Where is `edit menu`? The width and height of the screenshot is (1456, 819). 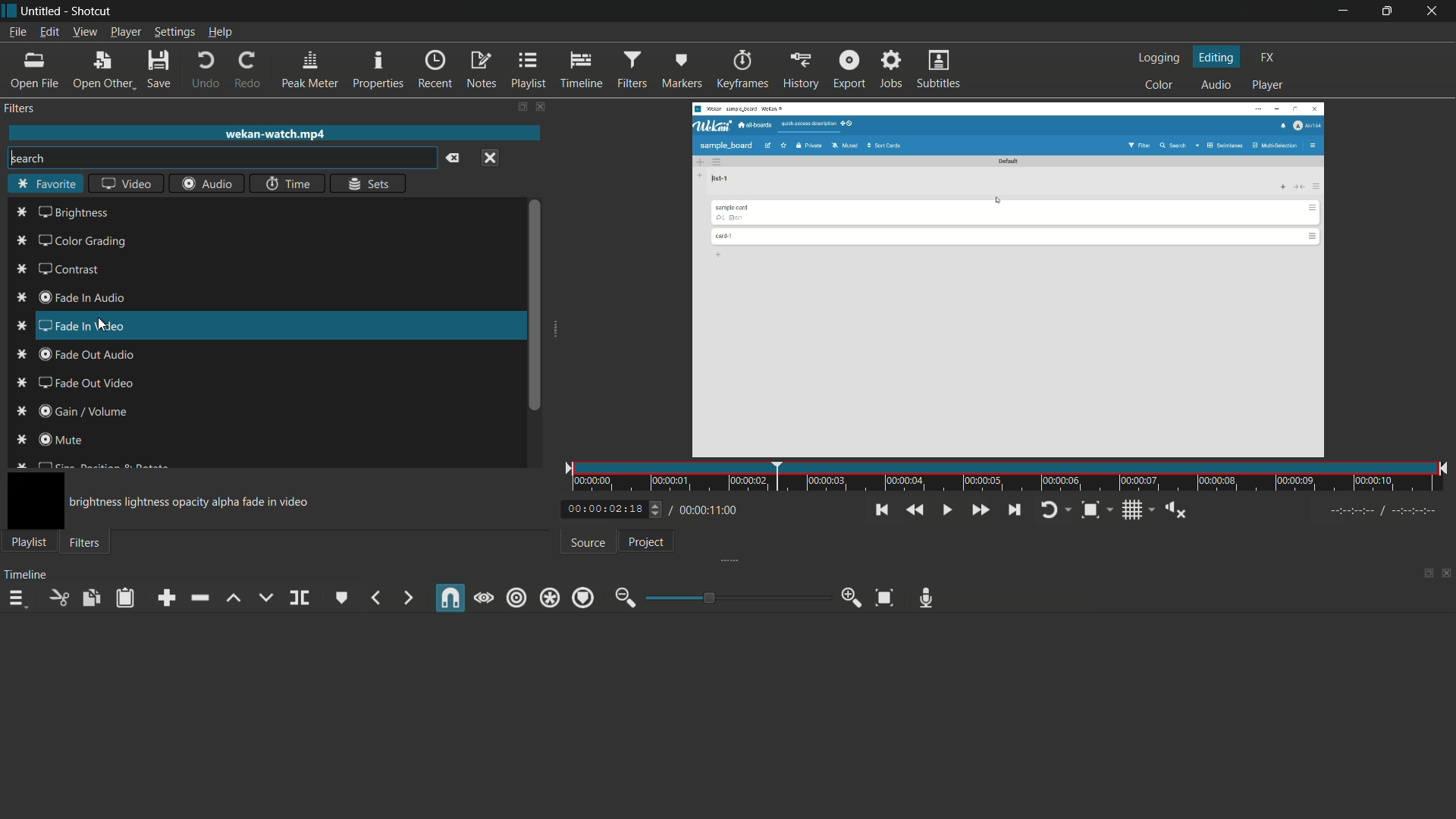
edit menu is located at coordinates (51, 33).